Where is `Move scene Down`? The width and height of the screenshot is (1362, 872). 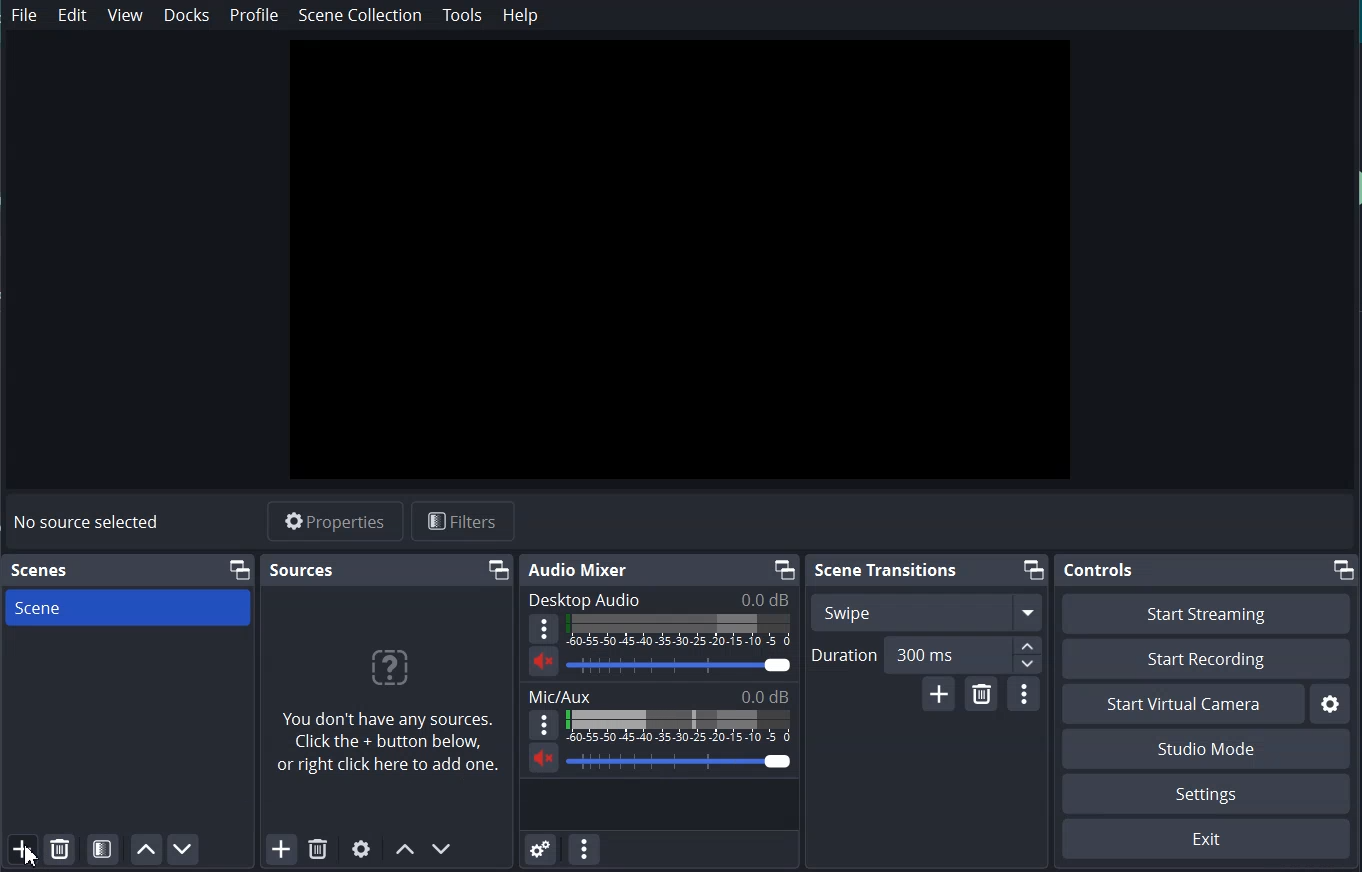 Move scene Down is located at coordinates (443, 849).